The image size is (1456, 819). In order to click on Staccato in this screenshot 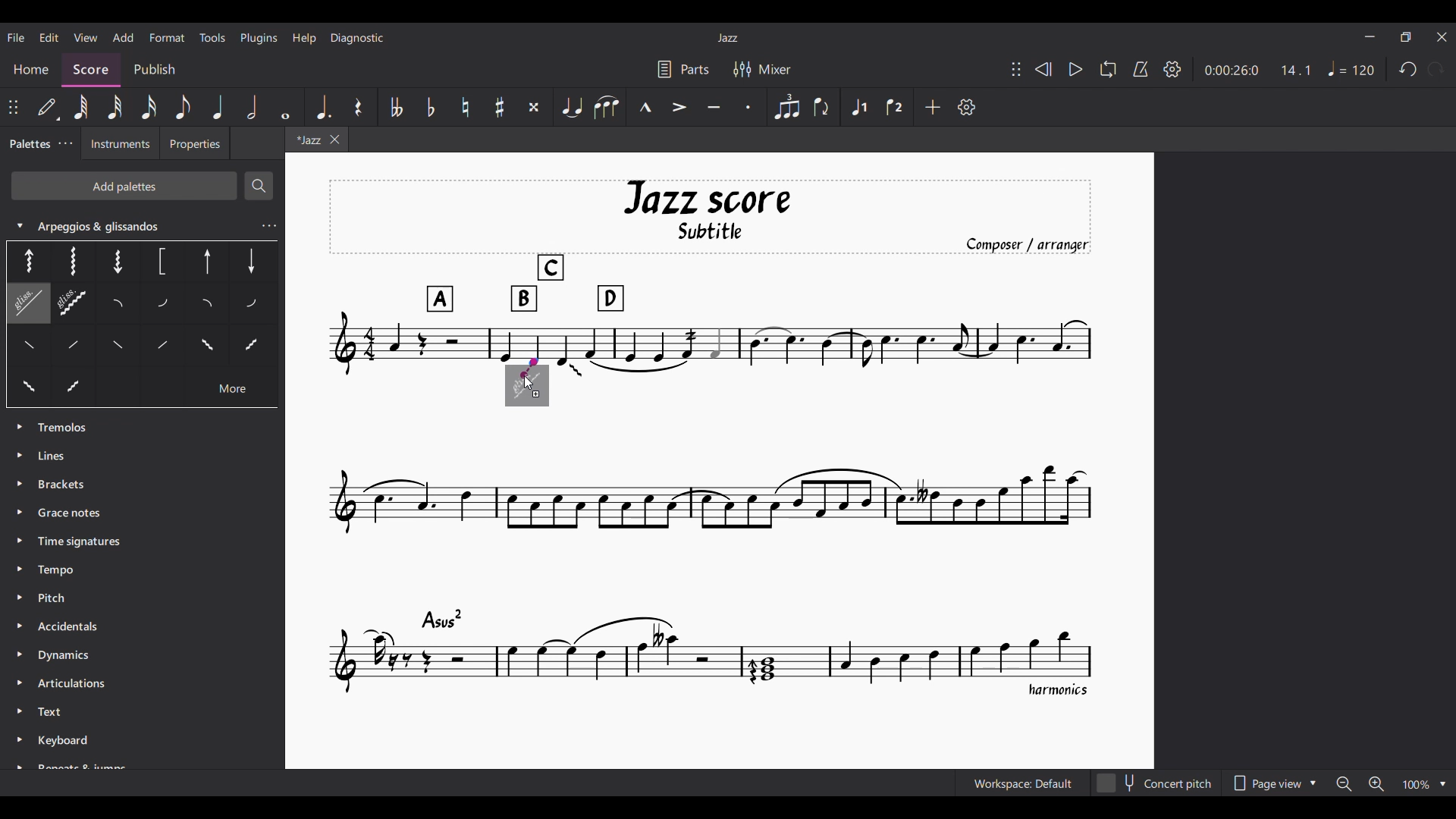, I will do `click(749, 107)`.